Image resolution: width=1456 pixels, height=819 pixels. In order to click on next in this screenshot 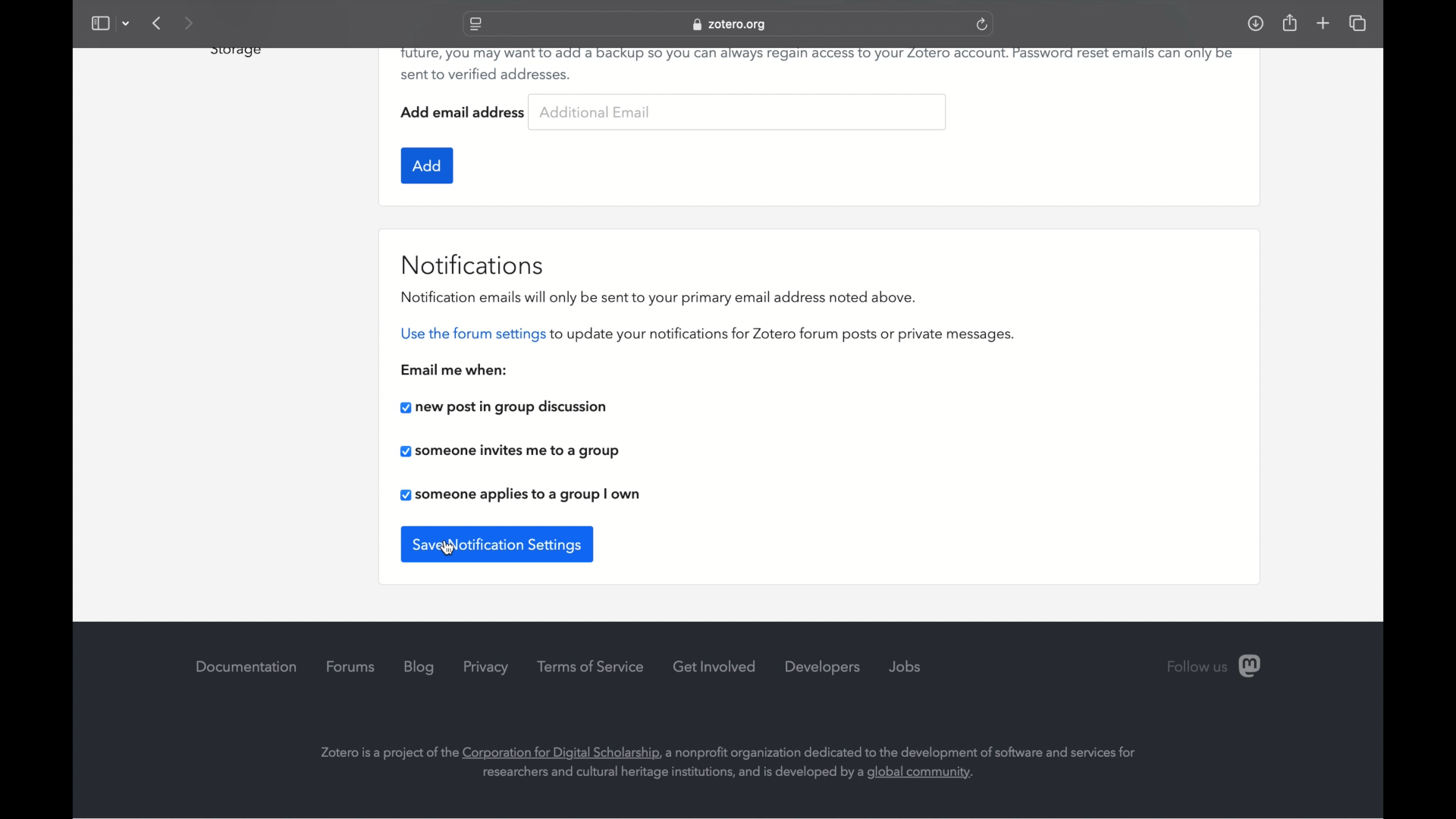, I will do `click(190, 23)`.